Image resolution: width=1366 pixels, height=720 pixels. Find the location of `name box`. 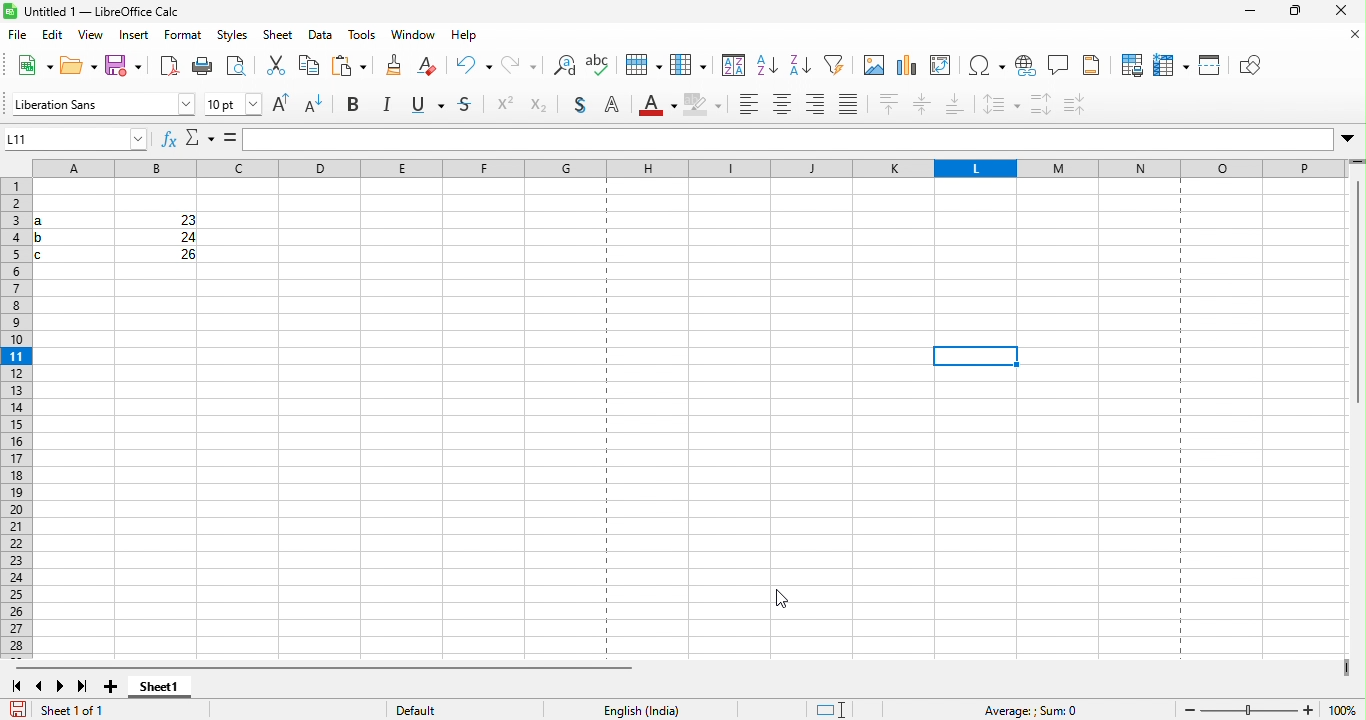

name box is located at coordinates (78, 140).